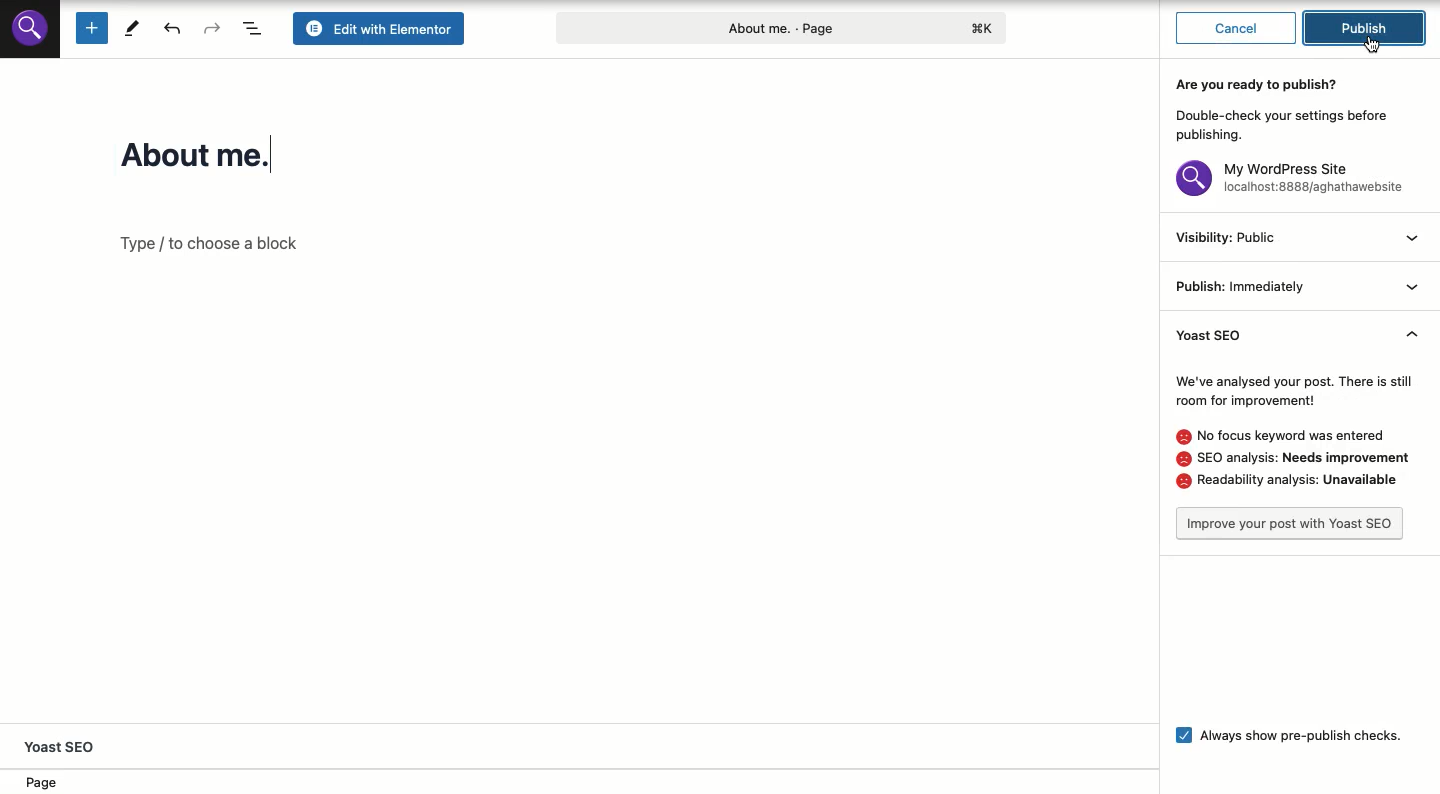 The width and height of the screenshot is (1440, 794). I want to click on Expand, so click(1414, 241).